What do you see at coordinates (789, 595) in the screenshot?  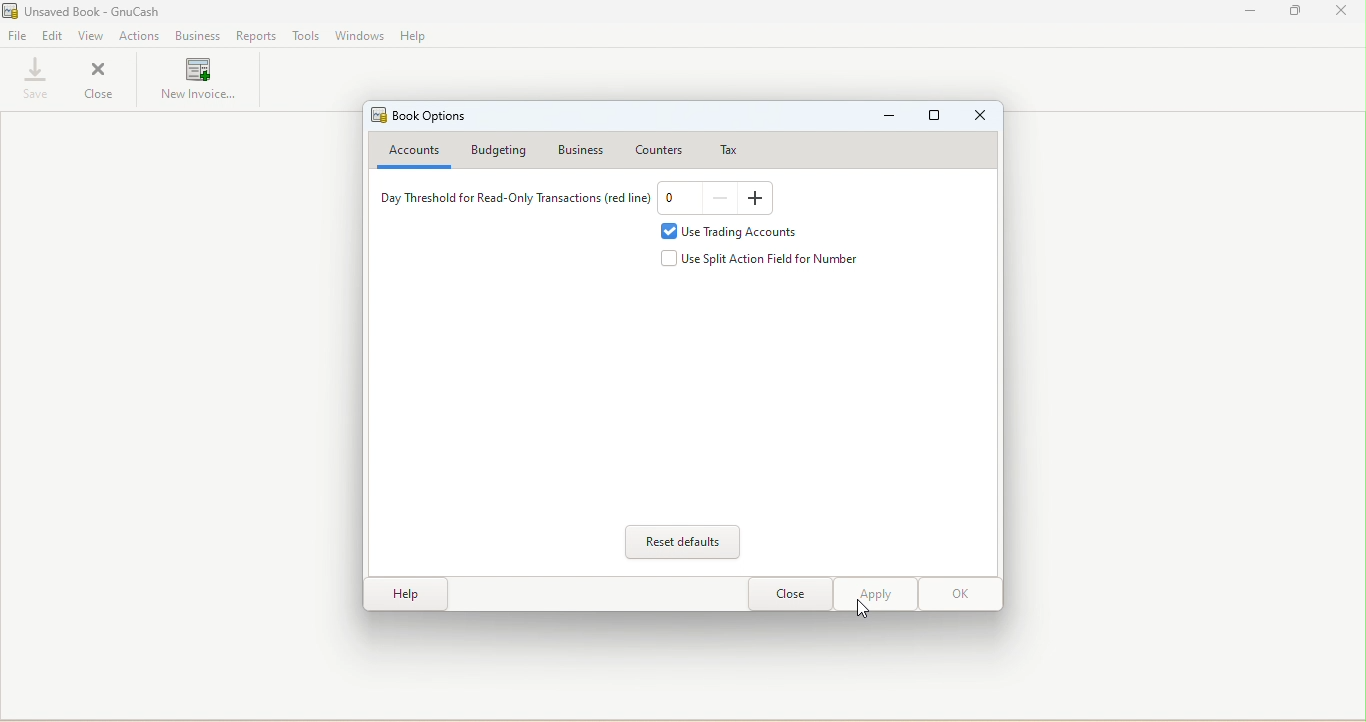 I see `Close` at bounding box center [789, 595].